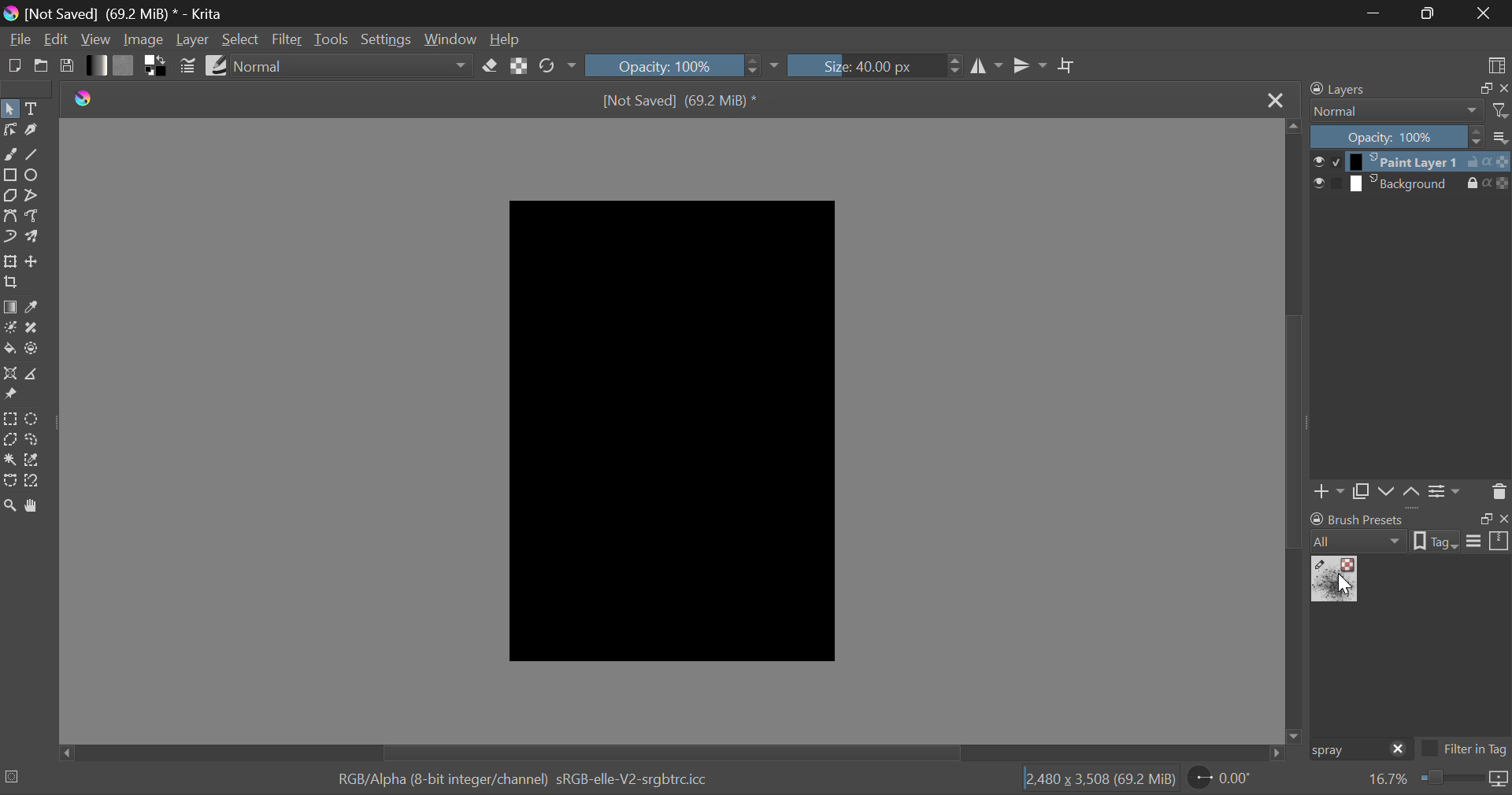 The width and height of the screenshot is (1512, 795). What do you see at coordinates (1397, 138) in the screenshot?
I see `Opacity: 100%` at bounding box center [1397, 138].